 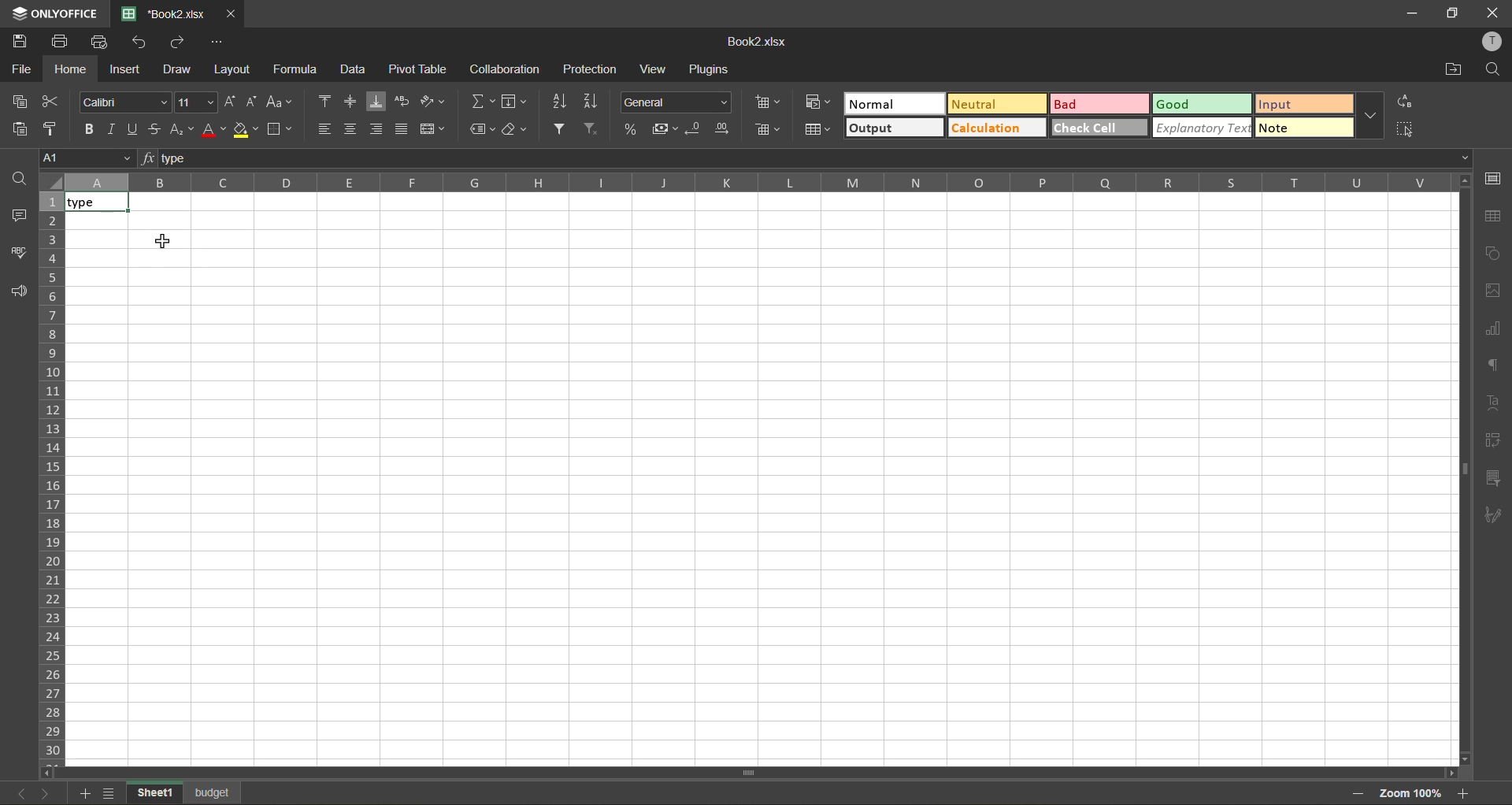 I want to click on clear filter, so click(x=590, y=130).